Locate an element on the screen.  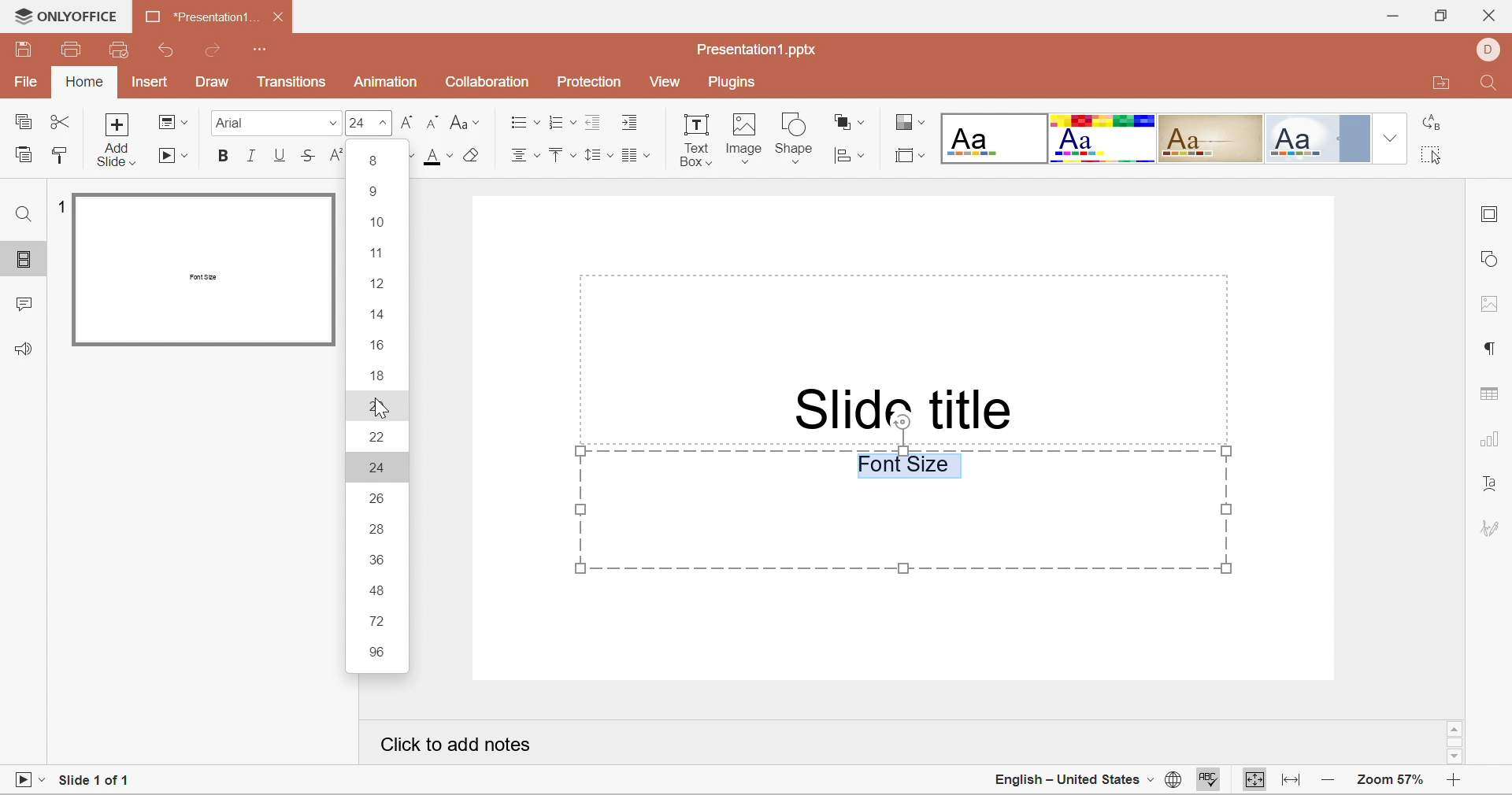
Replace is located at coordinates (1433, 124).